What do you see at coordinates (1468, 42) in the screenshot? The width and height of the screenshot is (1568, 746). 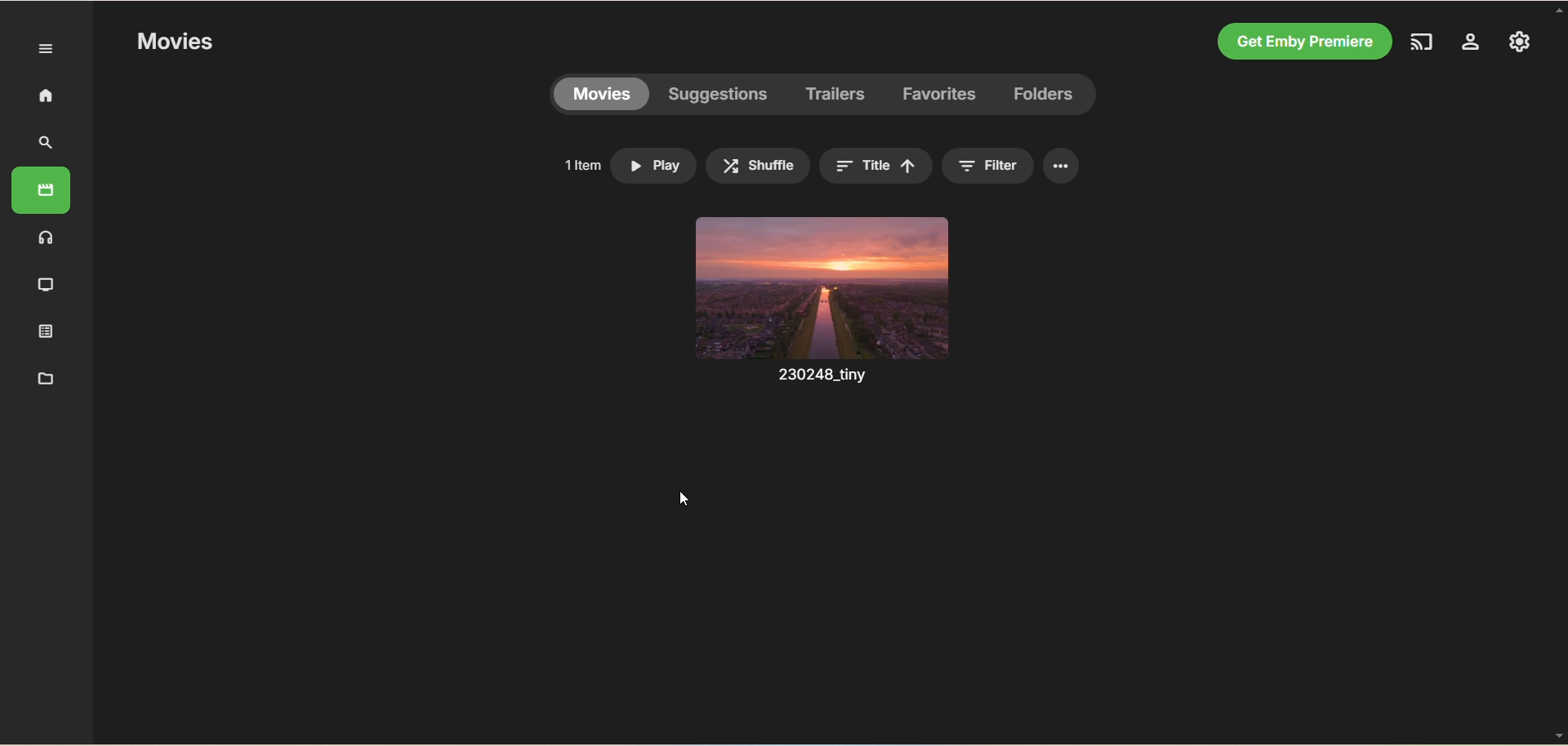 I see `manage emby server` at bounding box center [1468, 42].